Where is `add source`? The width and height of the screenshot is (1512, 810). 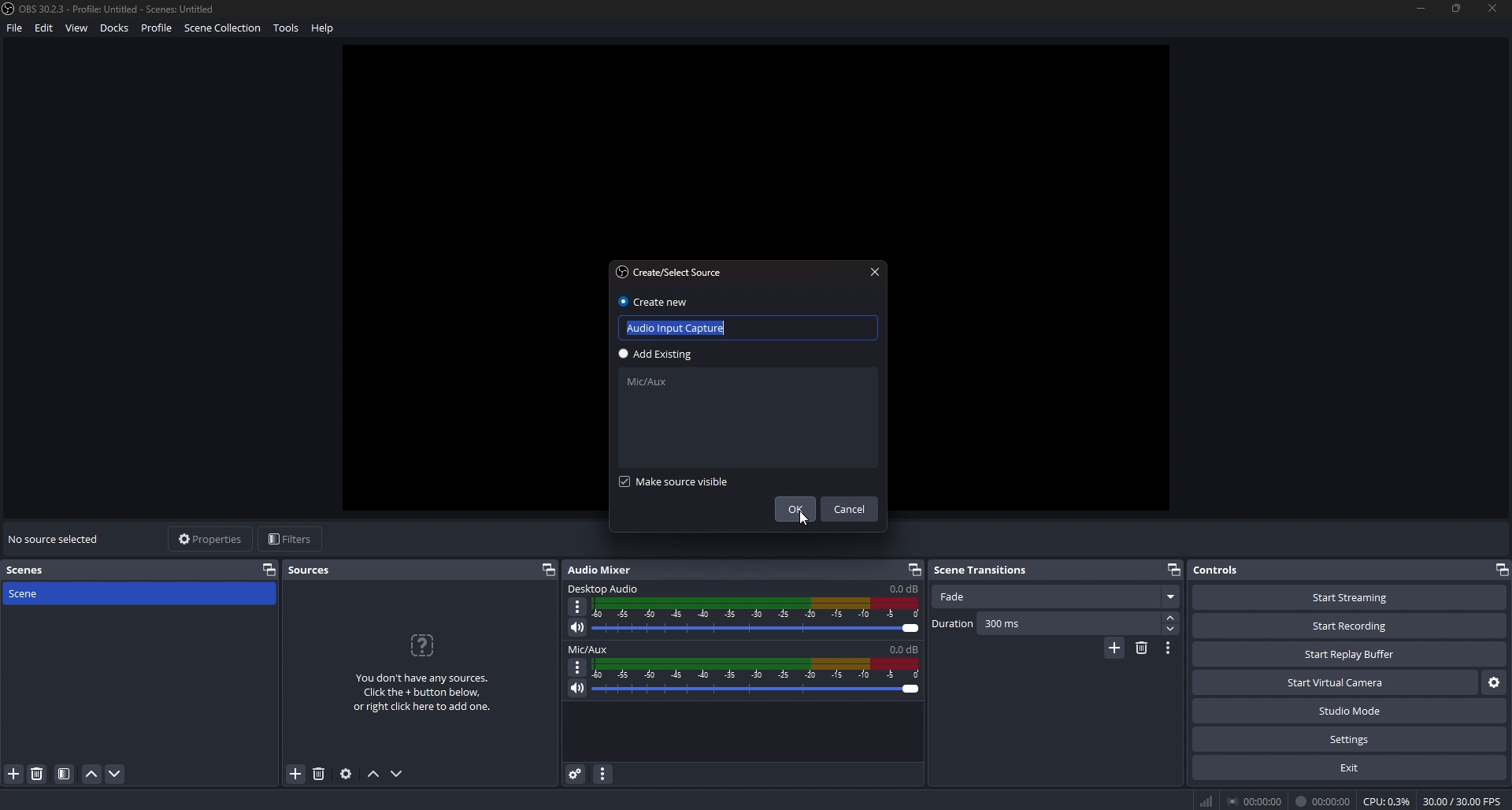
add source is located at coordinates (297, 774).